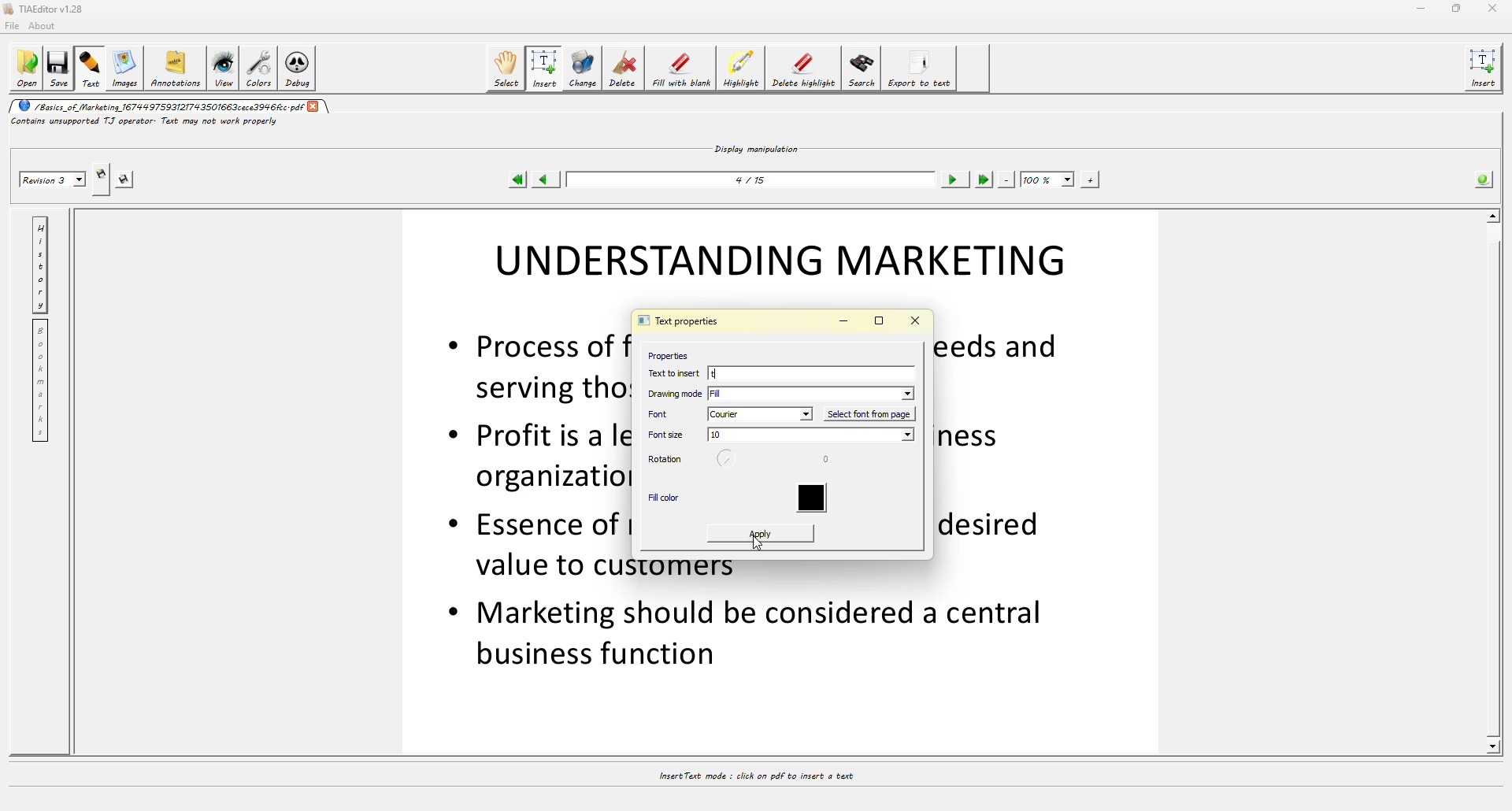 This screenshot has width=1512, height=811. I want to click on saves the revision, so click(127, 181).